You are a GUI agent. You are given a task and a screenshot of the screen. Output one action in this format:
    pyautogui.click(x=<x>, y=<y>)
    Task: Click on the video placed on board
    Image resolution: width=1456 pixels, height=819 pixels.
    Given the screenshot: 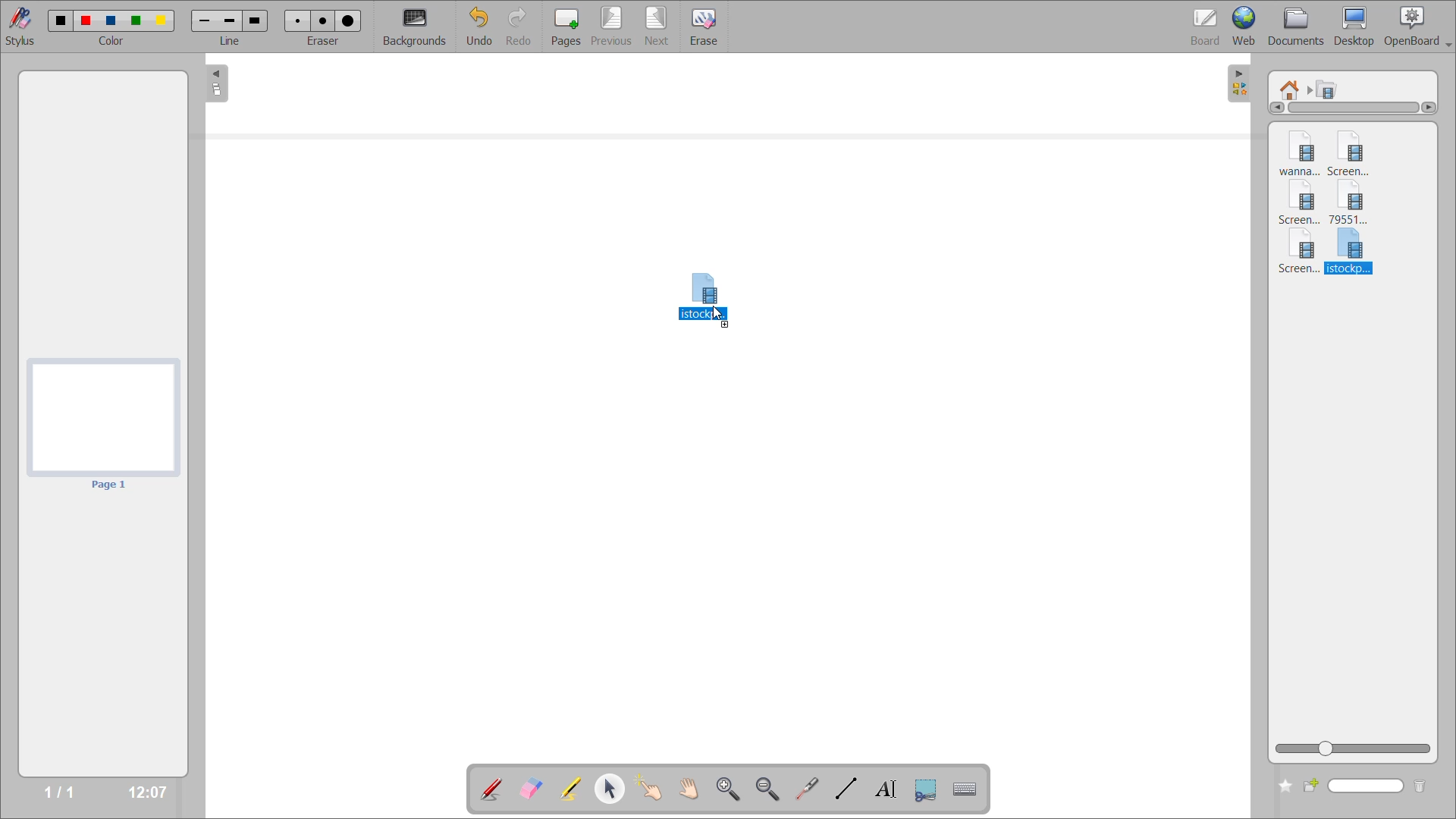 What is the action you would take?
    pyautogui.click(x=704, y=284)
    